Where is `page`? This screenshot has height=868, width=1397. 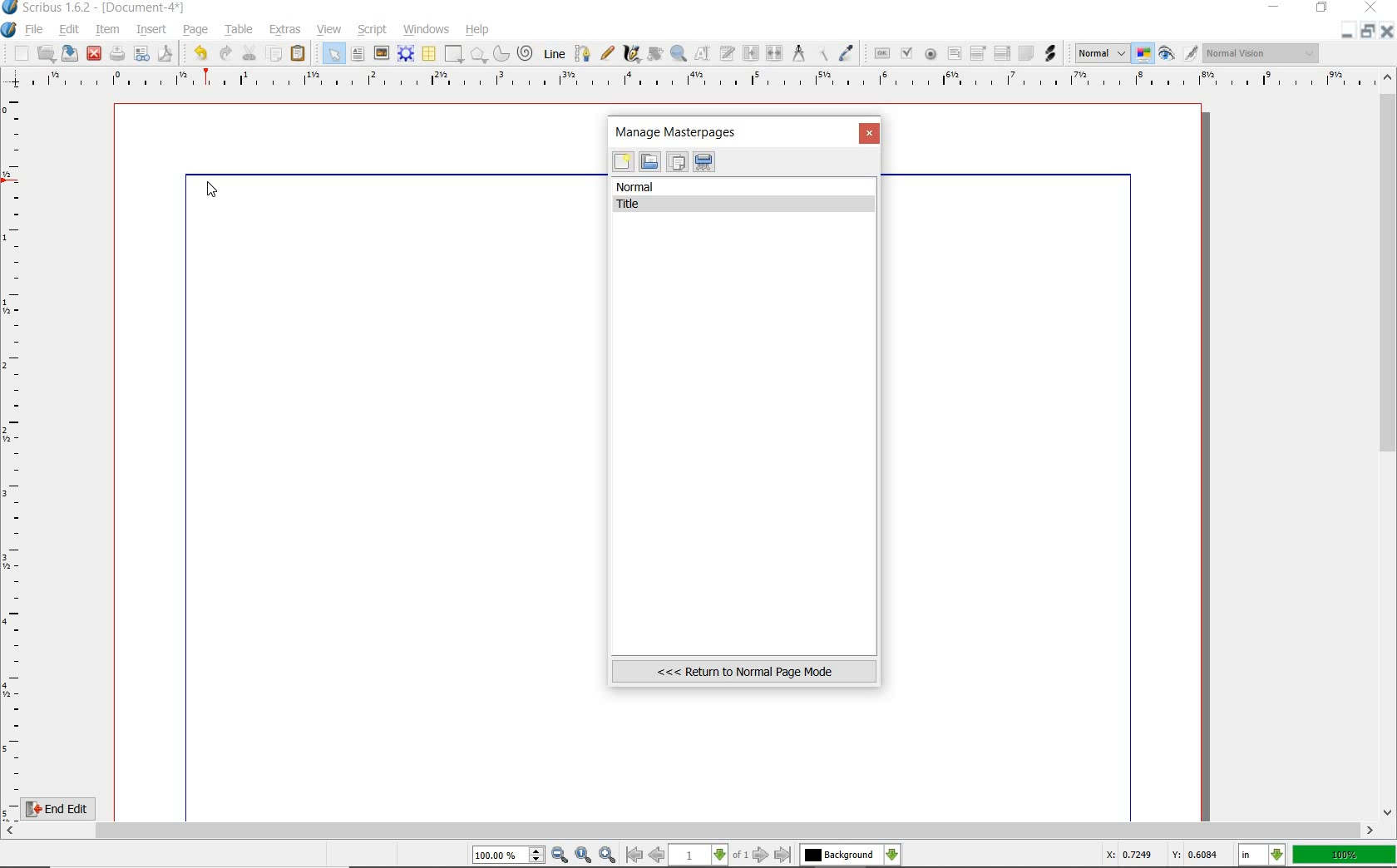 page is located at coordinates (196, 28).